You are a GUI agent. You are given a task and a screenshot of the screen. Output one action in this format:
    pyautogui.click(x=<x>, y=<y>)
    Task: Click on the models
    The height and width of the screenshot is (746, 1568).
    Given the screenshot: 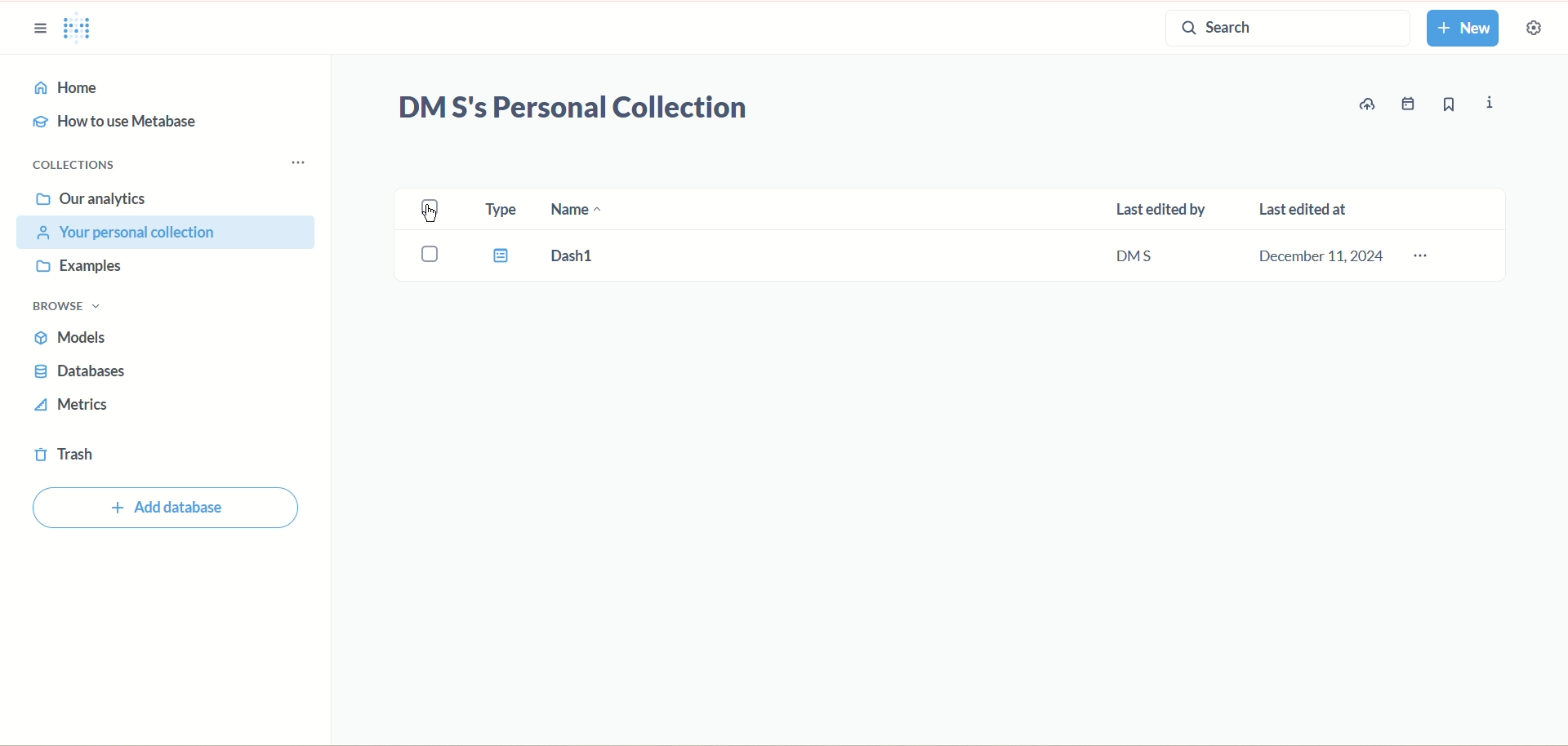 What is the action you would take?
    pyautogui.click(x=74, y=339)
    